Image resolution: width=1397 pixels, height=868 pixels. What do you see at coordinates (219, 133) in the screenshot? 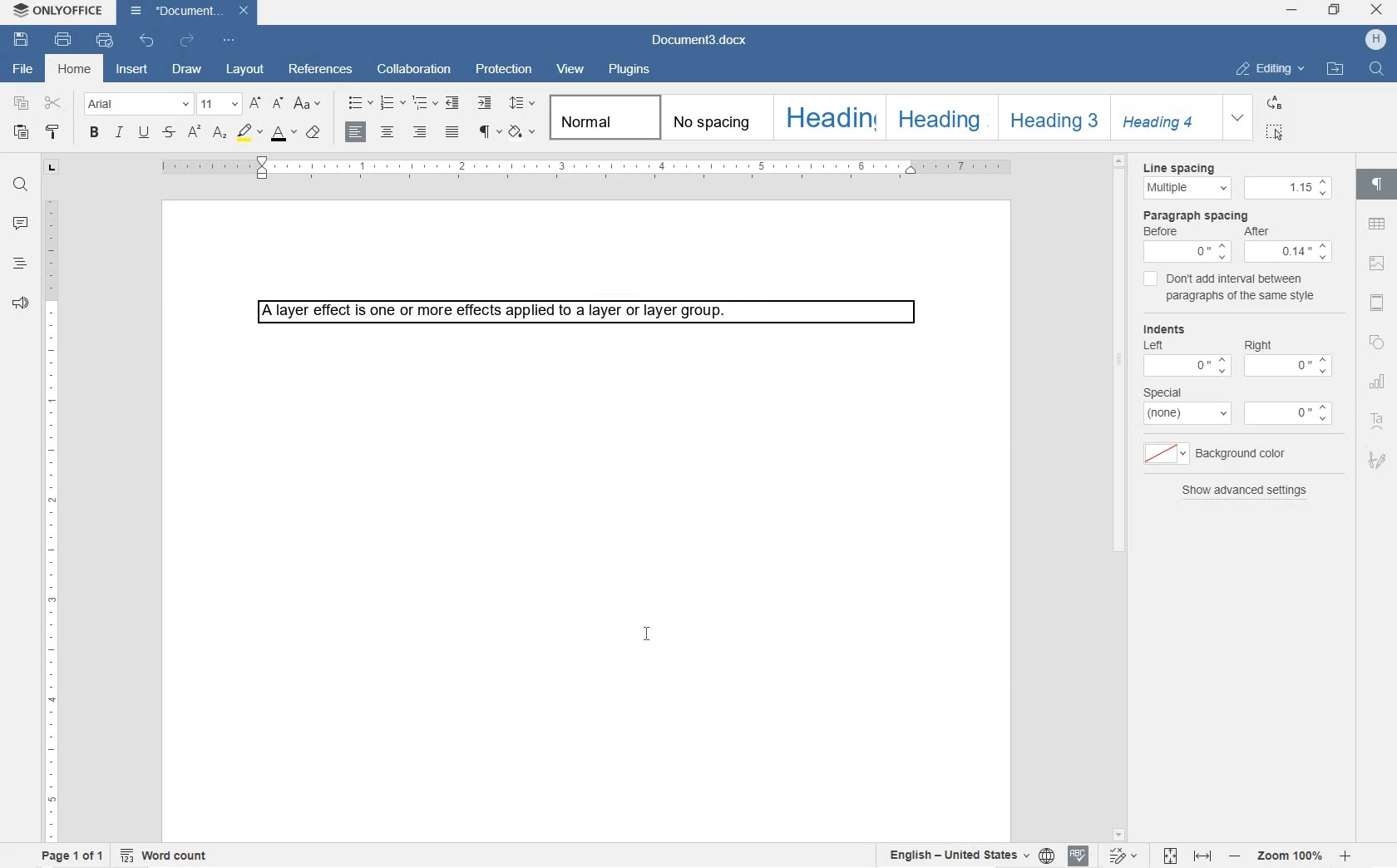
I see `SUBSCRIPT` at bounding box center [219, 133].